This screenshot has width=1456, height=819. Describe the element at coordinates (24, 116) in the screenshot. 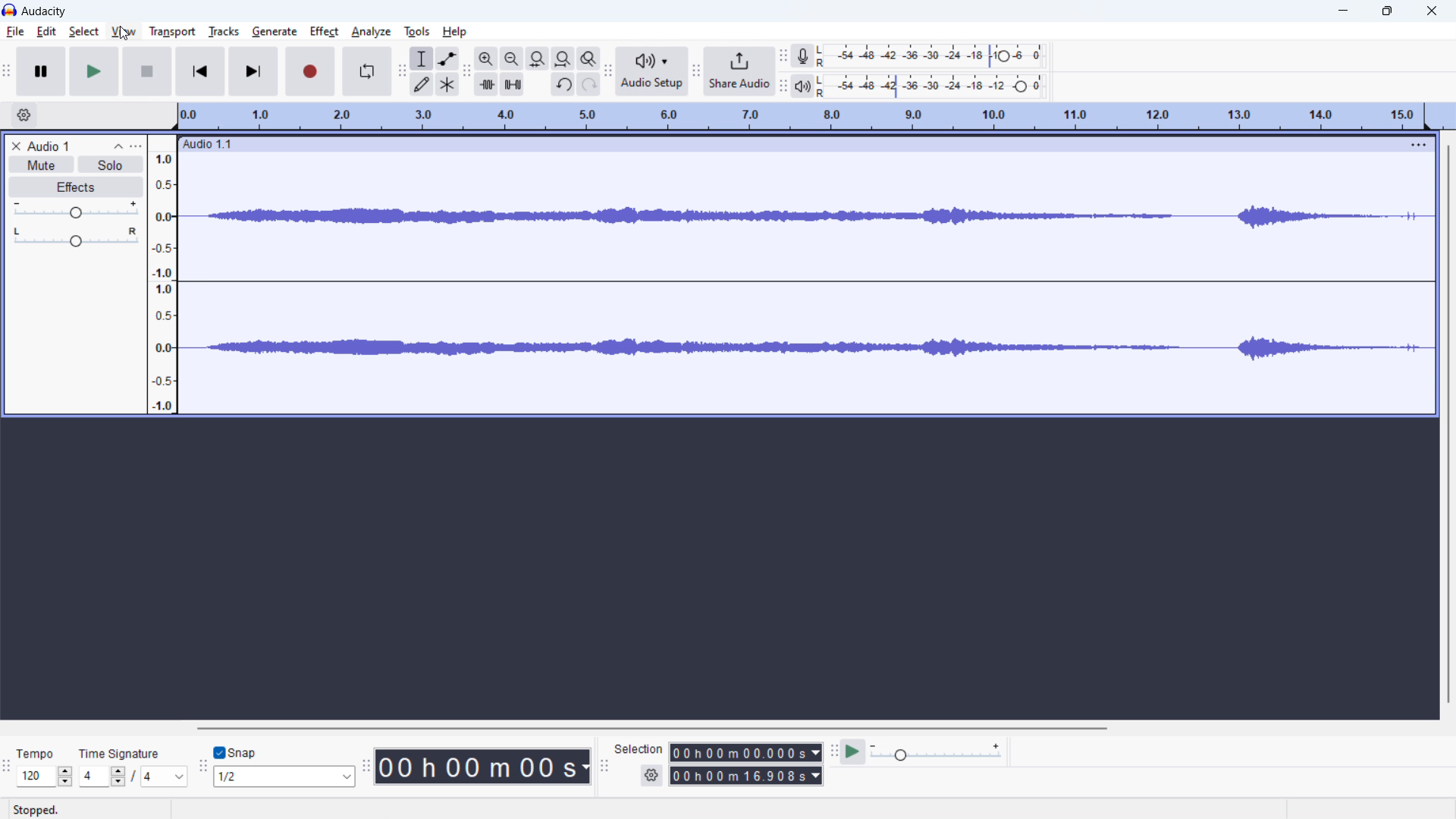

I see `timeline settings` at that location.